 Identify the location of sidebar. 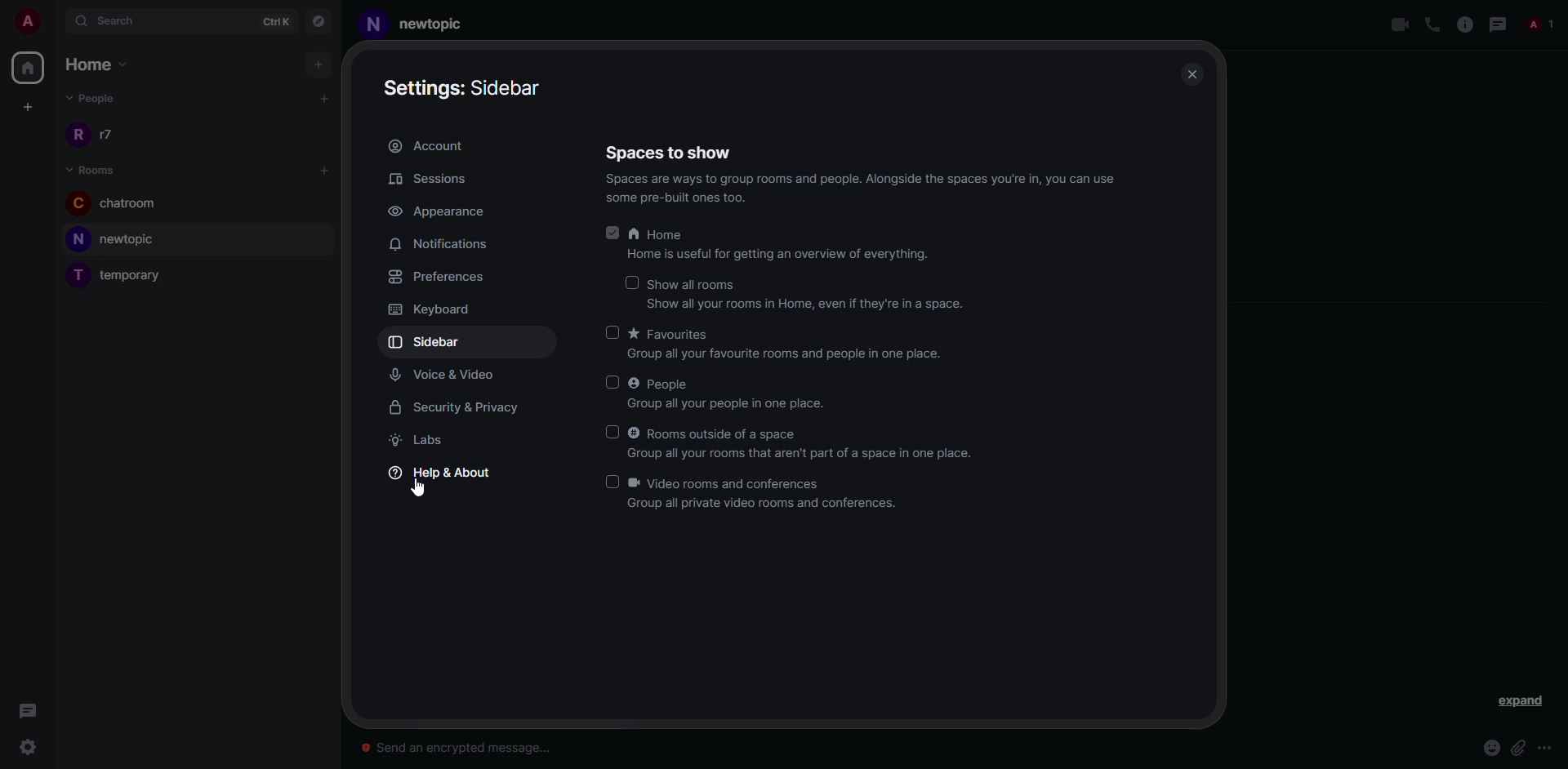
(463, 87).